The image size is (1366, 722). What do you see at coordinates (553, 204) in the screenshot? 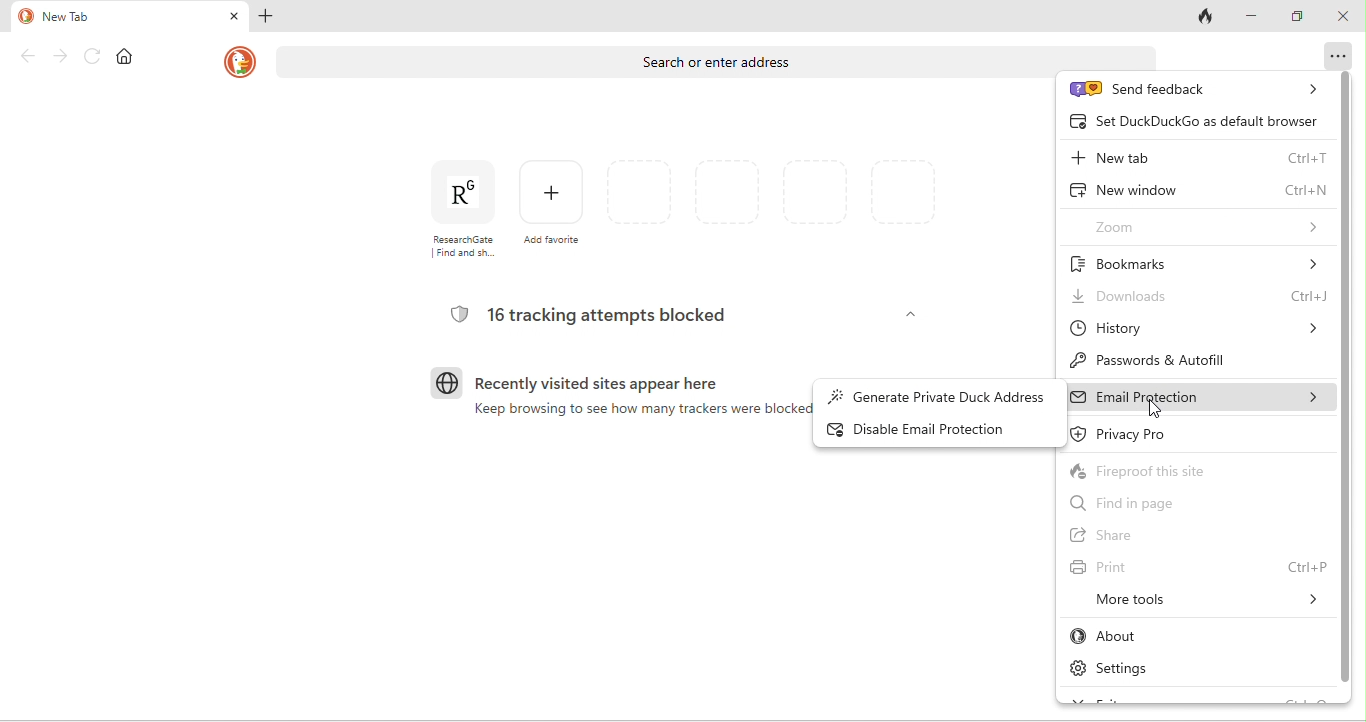
I see `add favourites` at bounding box center [553, 204].